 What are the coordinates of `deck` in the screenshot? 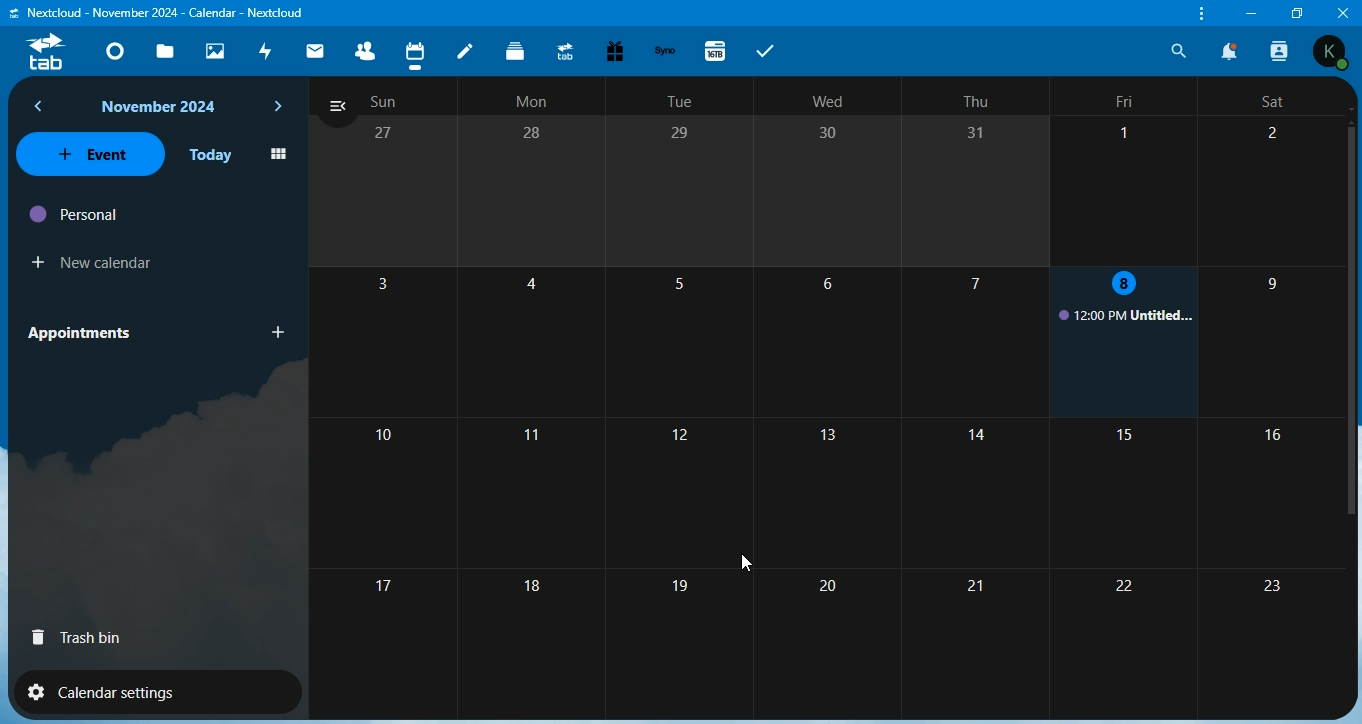 It's located at (517, 51).